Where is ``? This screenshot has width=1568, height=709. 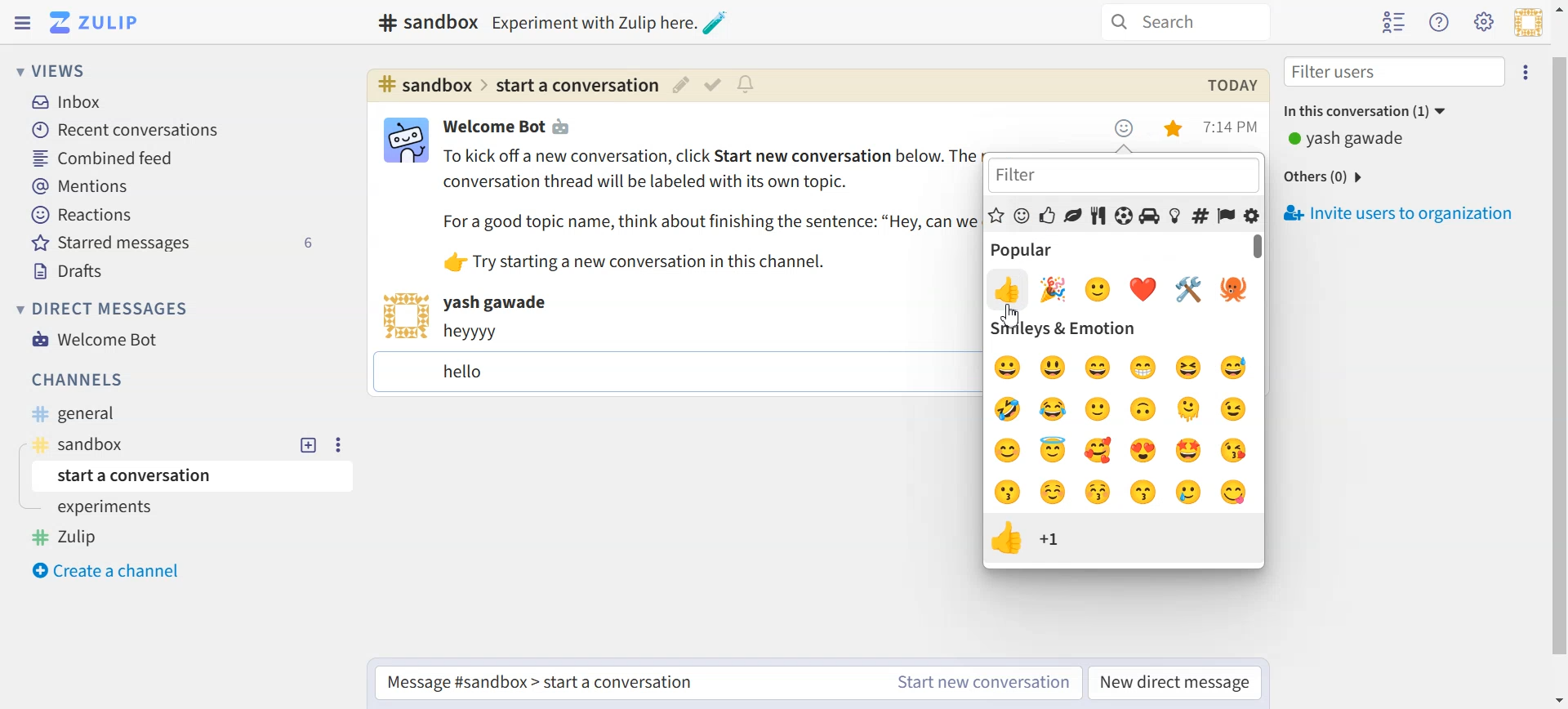  is located at coordinates (1185, 286).